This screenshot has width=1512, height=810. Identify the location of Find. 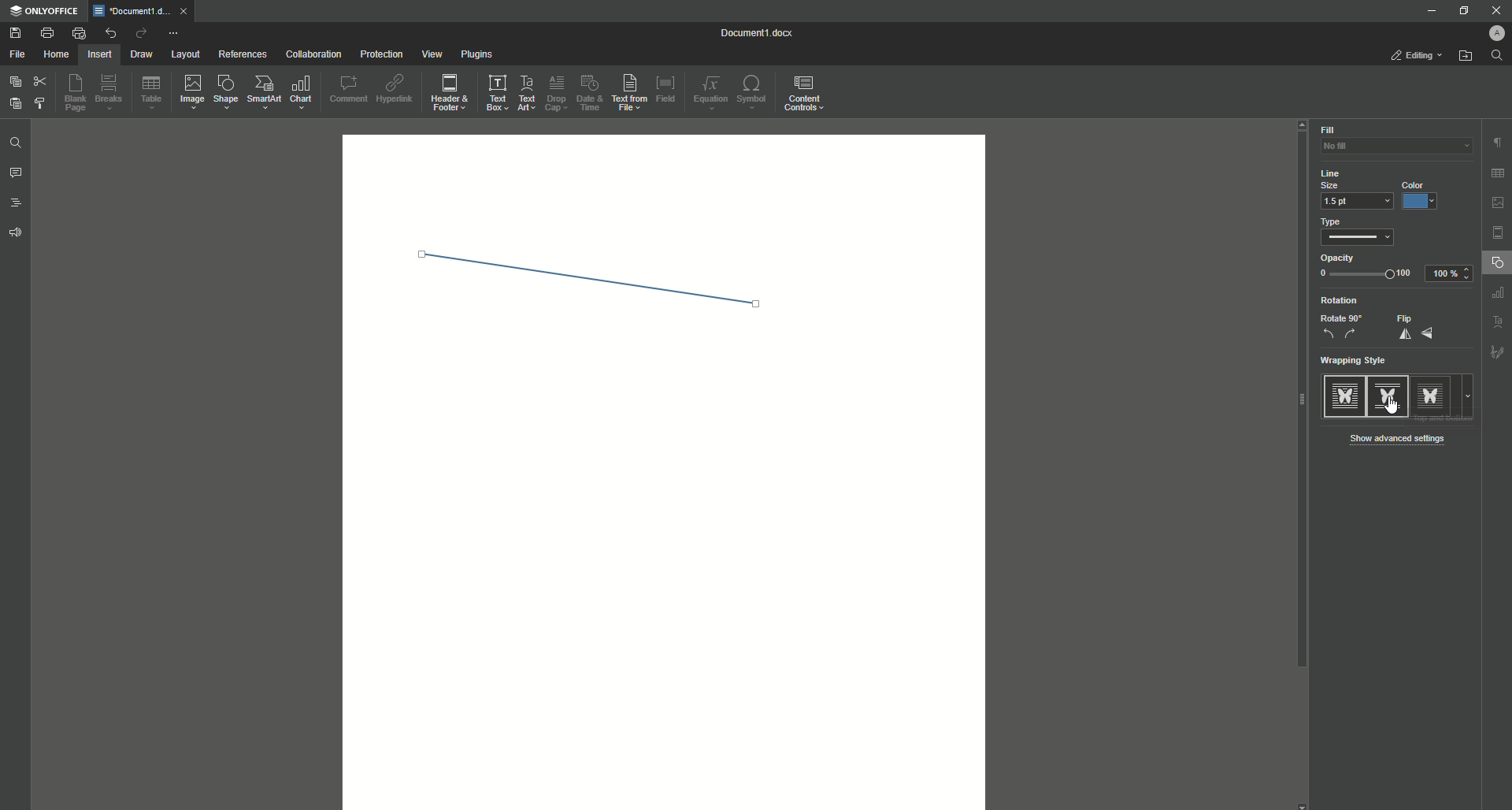
(16, 143).